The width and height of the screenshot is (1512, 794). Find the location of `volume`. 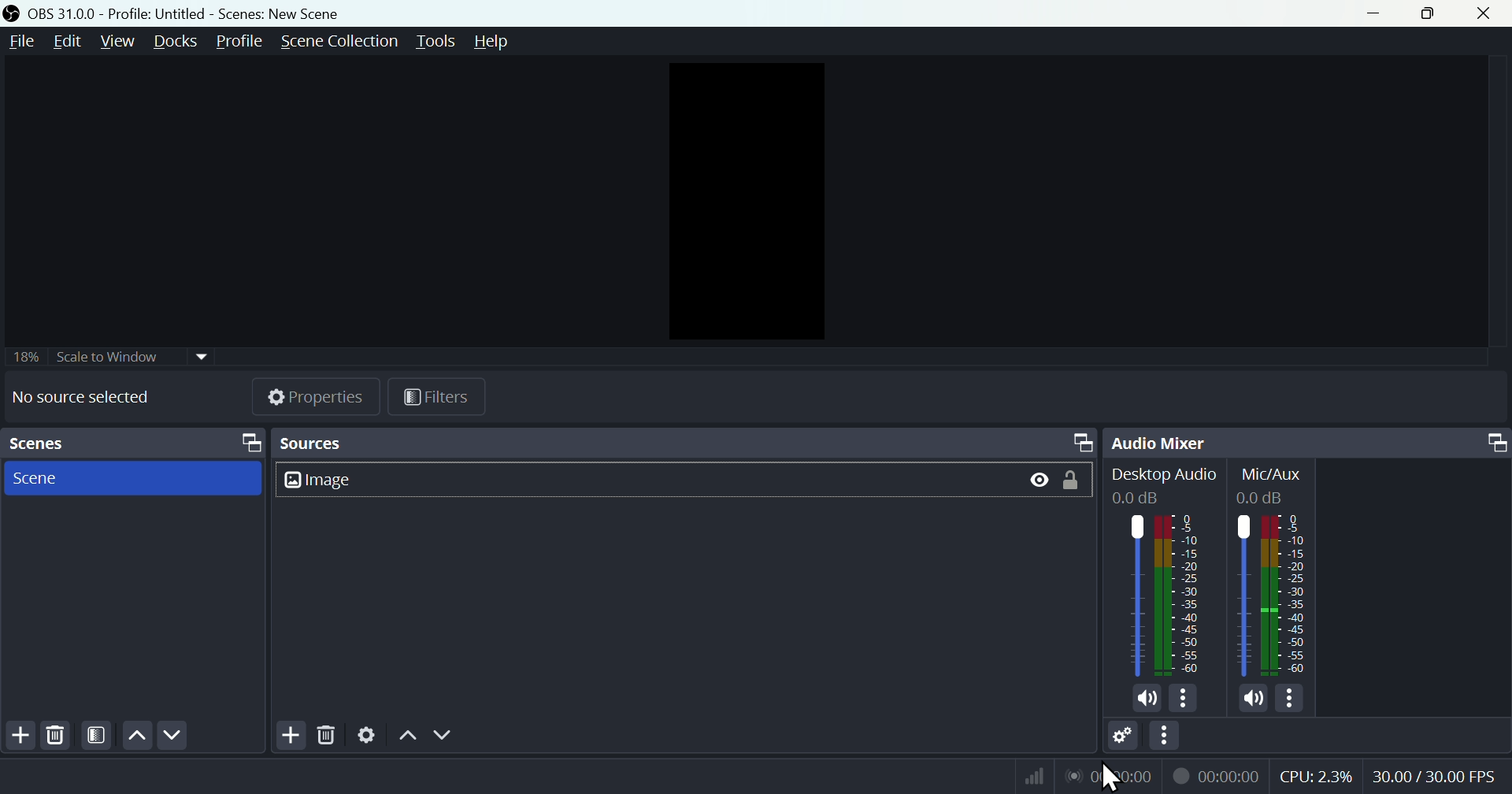

volume is located at coordinates (1251, 699).